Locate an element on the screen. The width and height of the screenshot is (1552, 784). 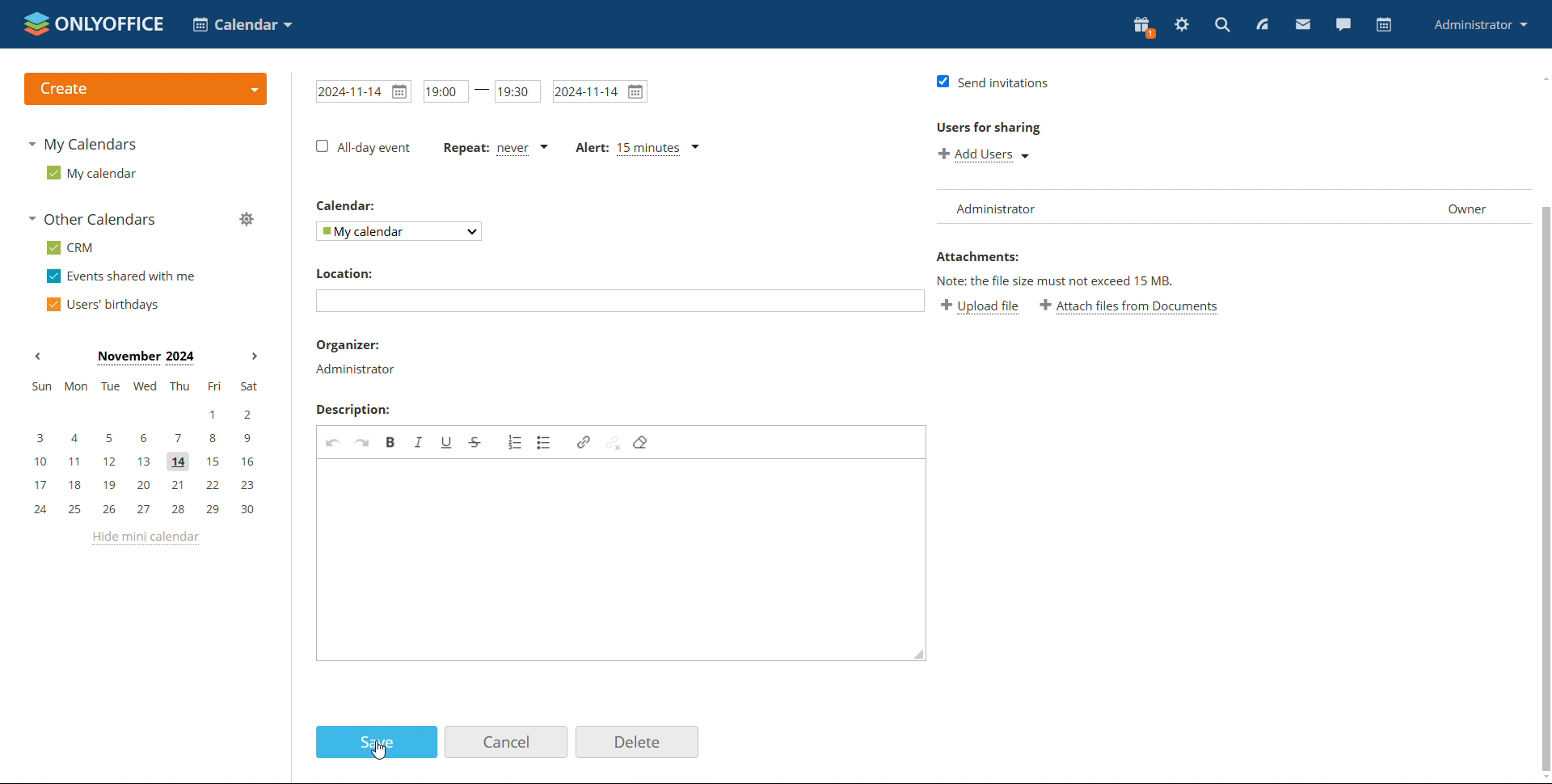
add guests is located at coordinates (988, 154).